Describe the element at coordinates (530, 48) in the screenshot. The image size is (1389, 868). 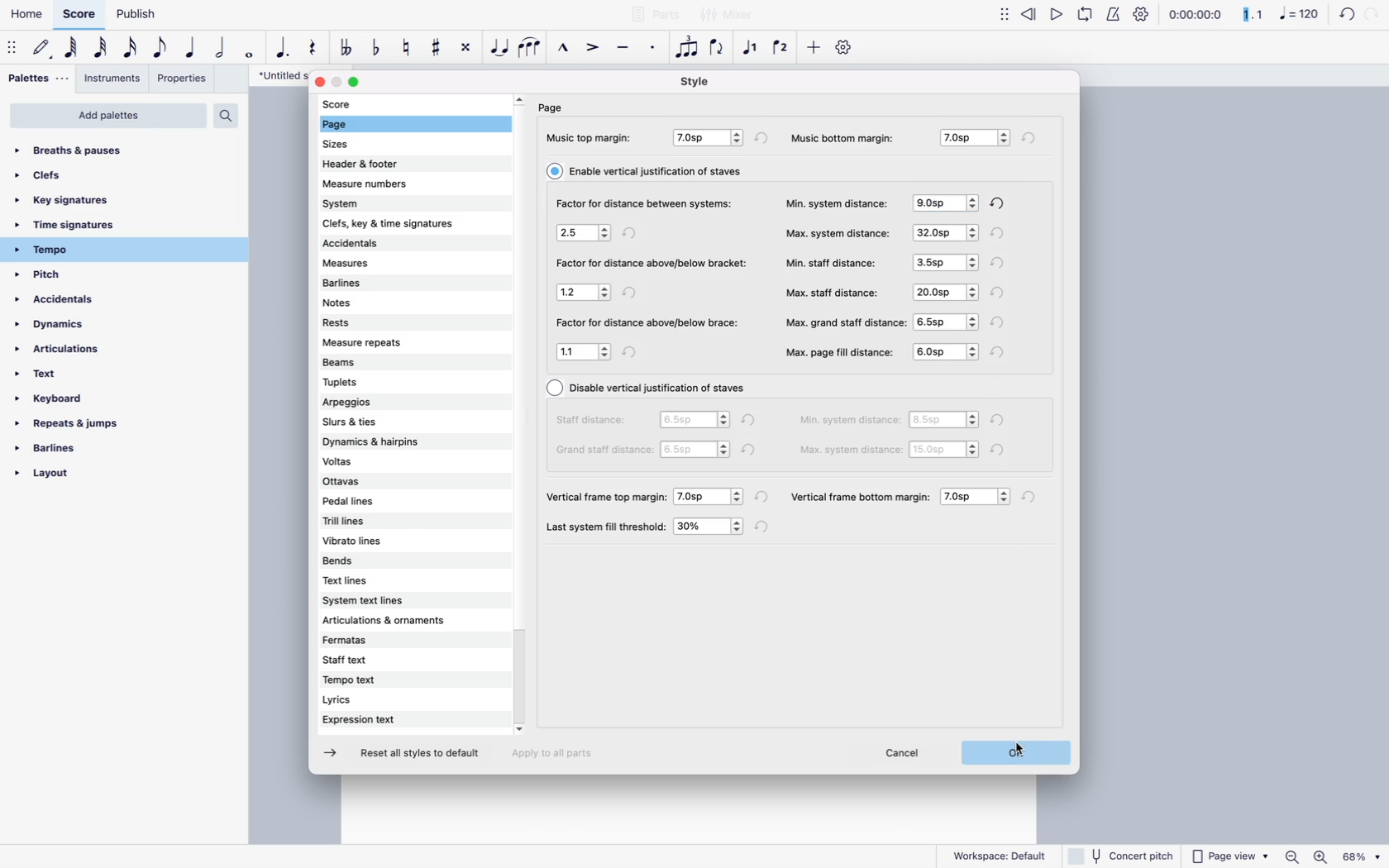
I see `slur` at that location.